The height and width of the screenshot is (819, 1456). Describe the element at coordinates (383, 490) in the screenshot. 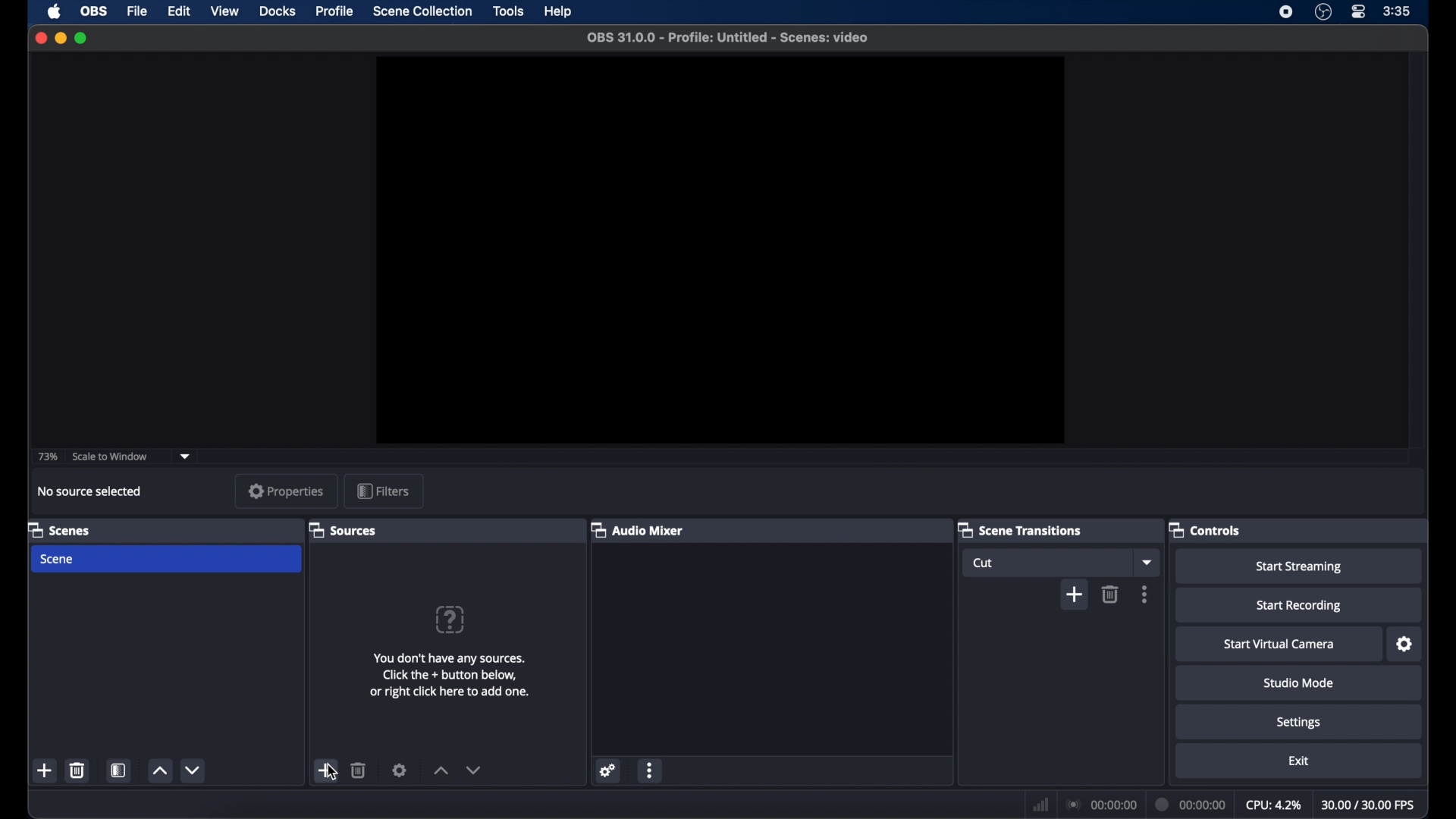

I see `filter` at that location.